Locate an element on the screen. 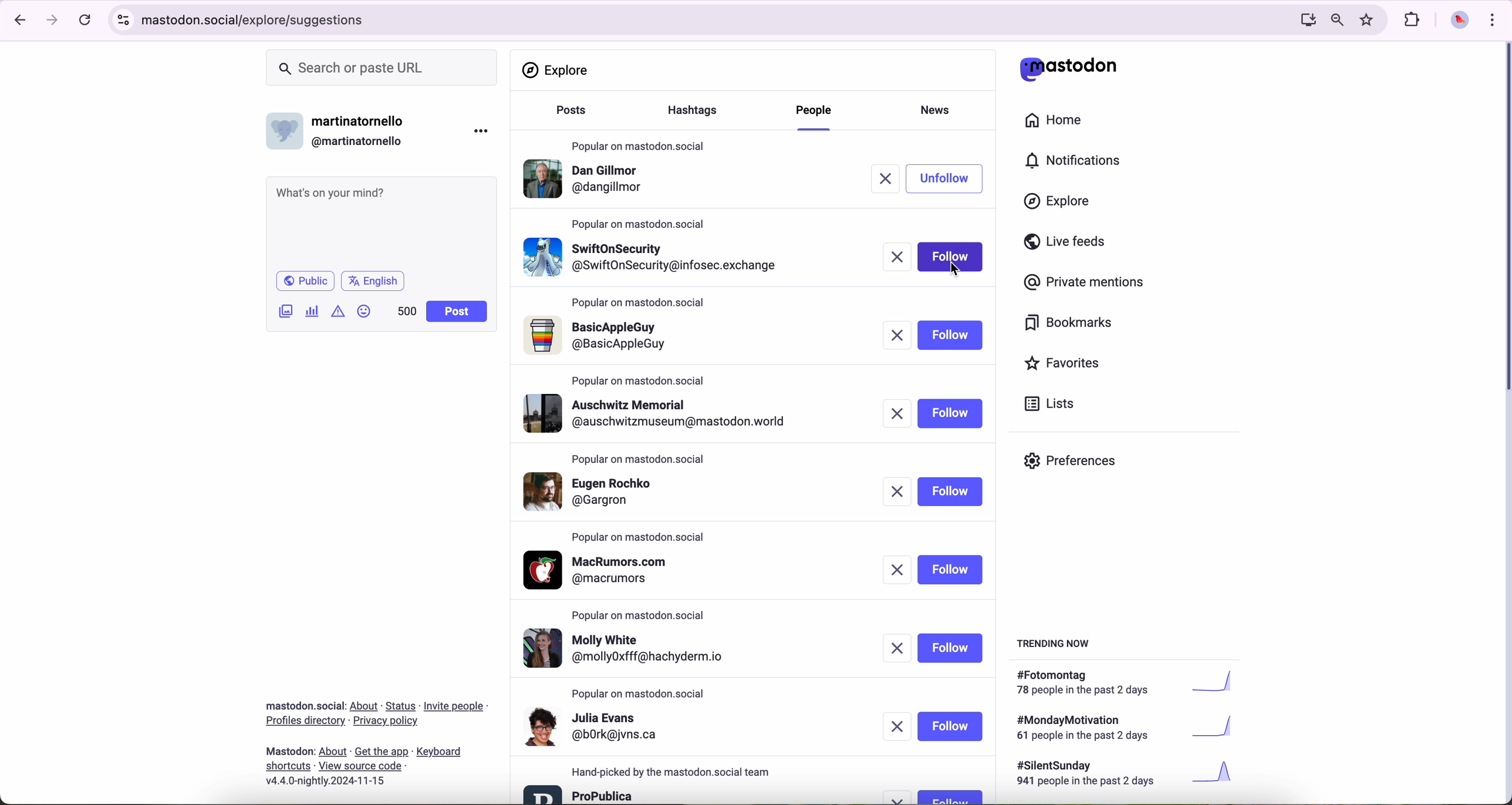 The width and height of the screenshot is (1512, 805). remove is located at coordinates (895, 336).